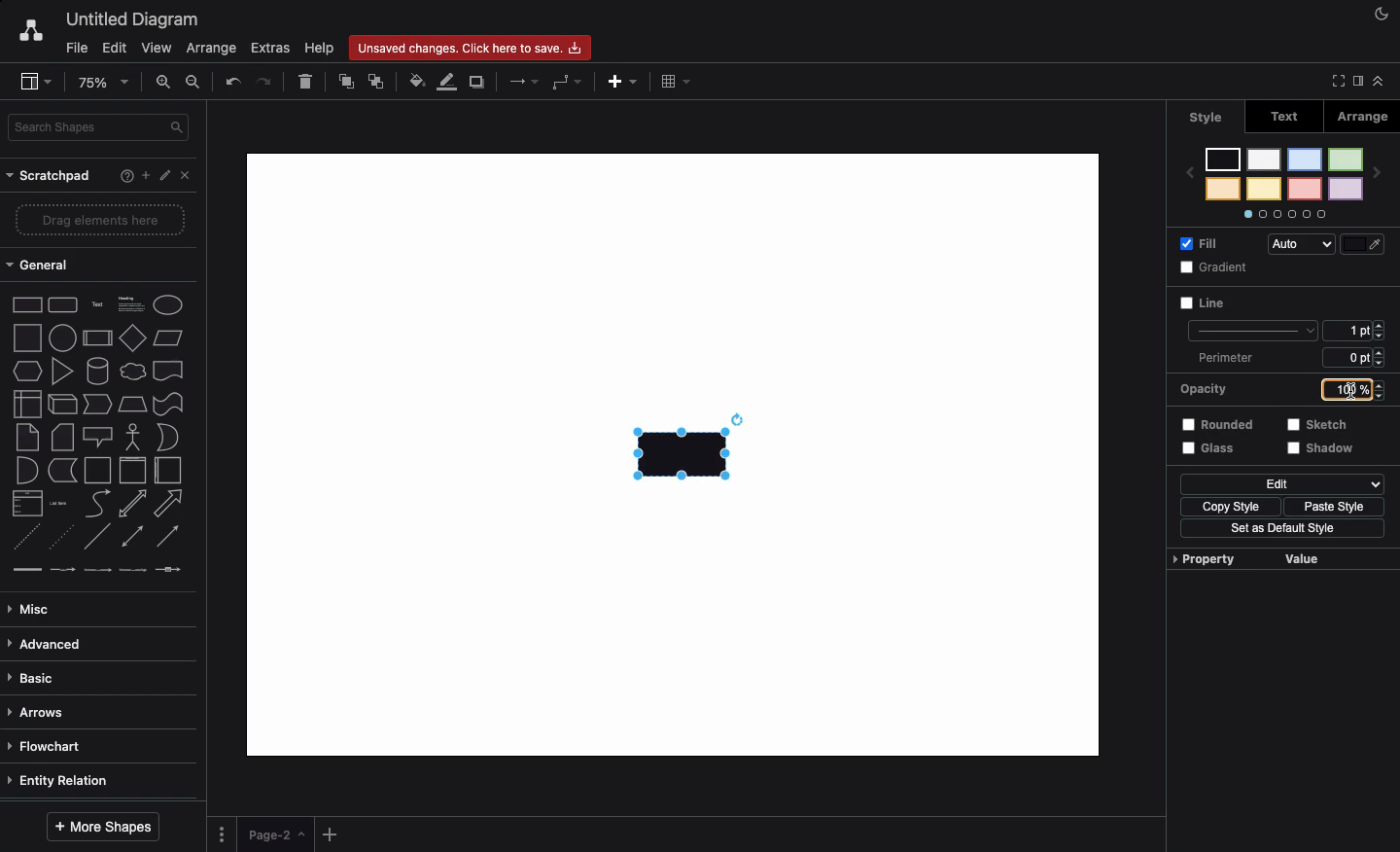 The width and height of the screenshot is (1400, 852). I want to click on Cursor, so click(1347, 396).